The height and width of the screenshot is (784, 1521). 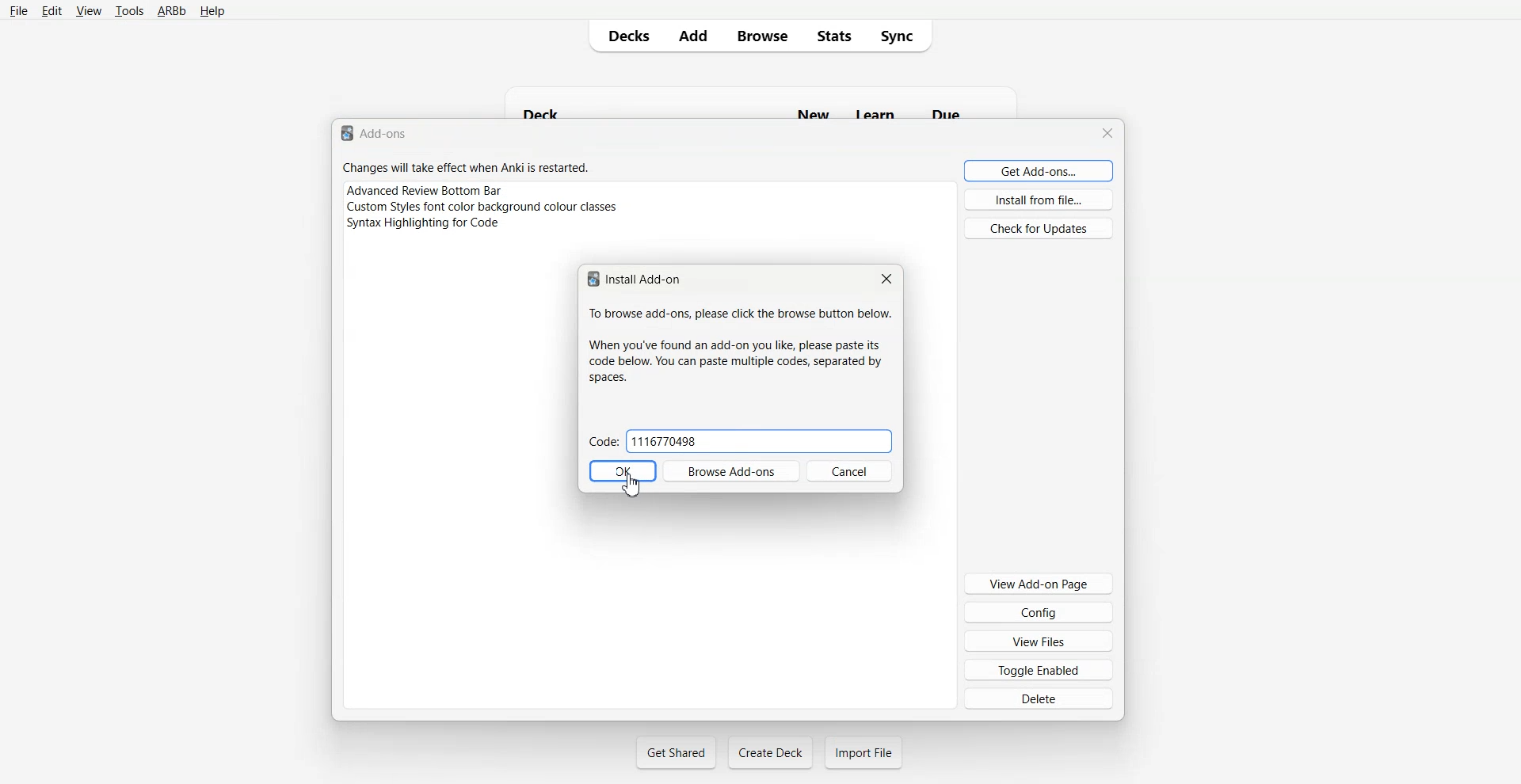 I want to click on Create Deck, so click(x=771, y=753).